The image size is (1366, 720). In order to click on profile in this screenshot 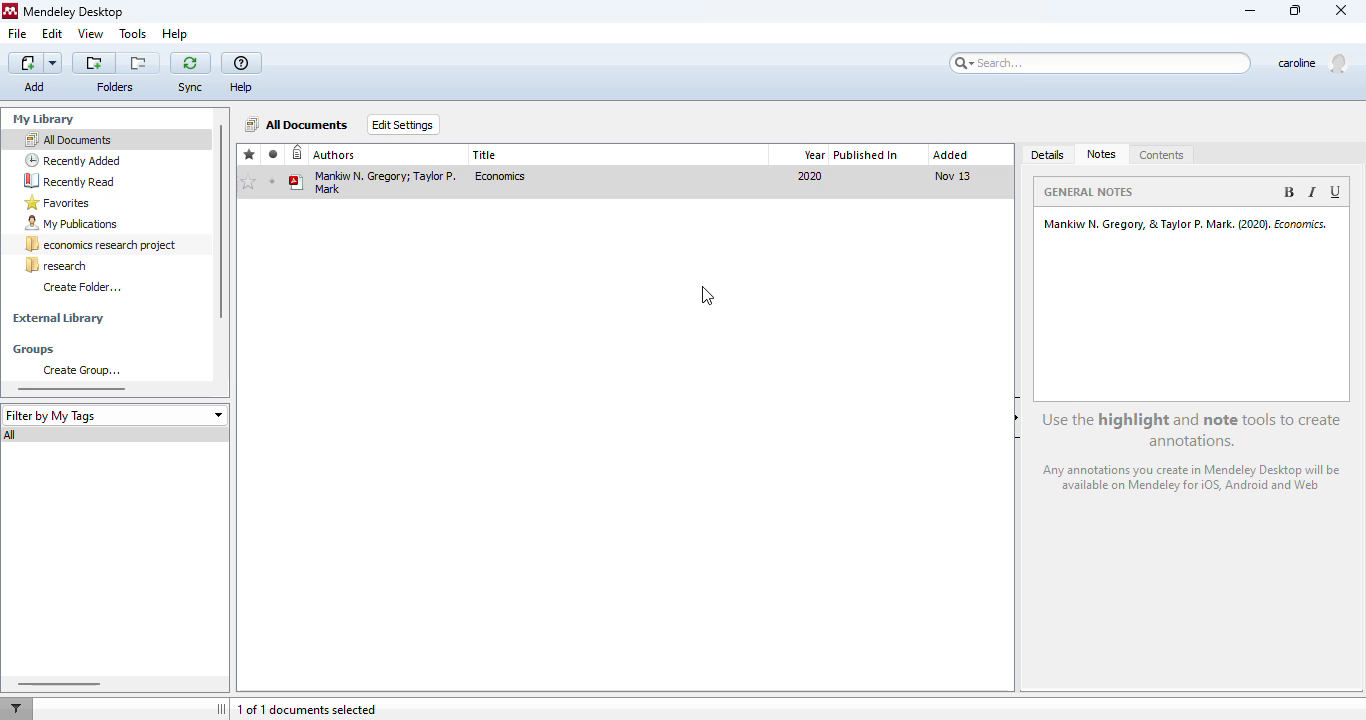, I will do `click(1312, 64)`.